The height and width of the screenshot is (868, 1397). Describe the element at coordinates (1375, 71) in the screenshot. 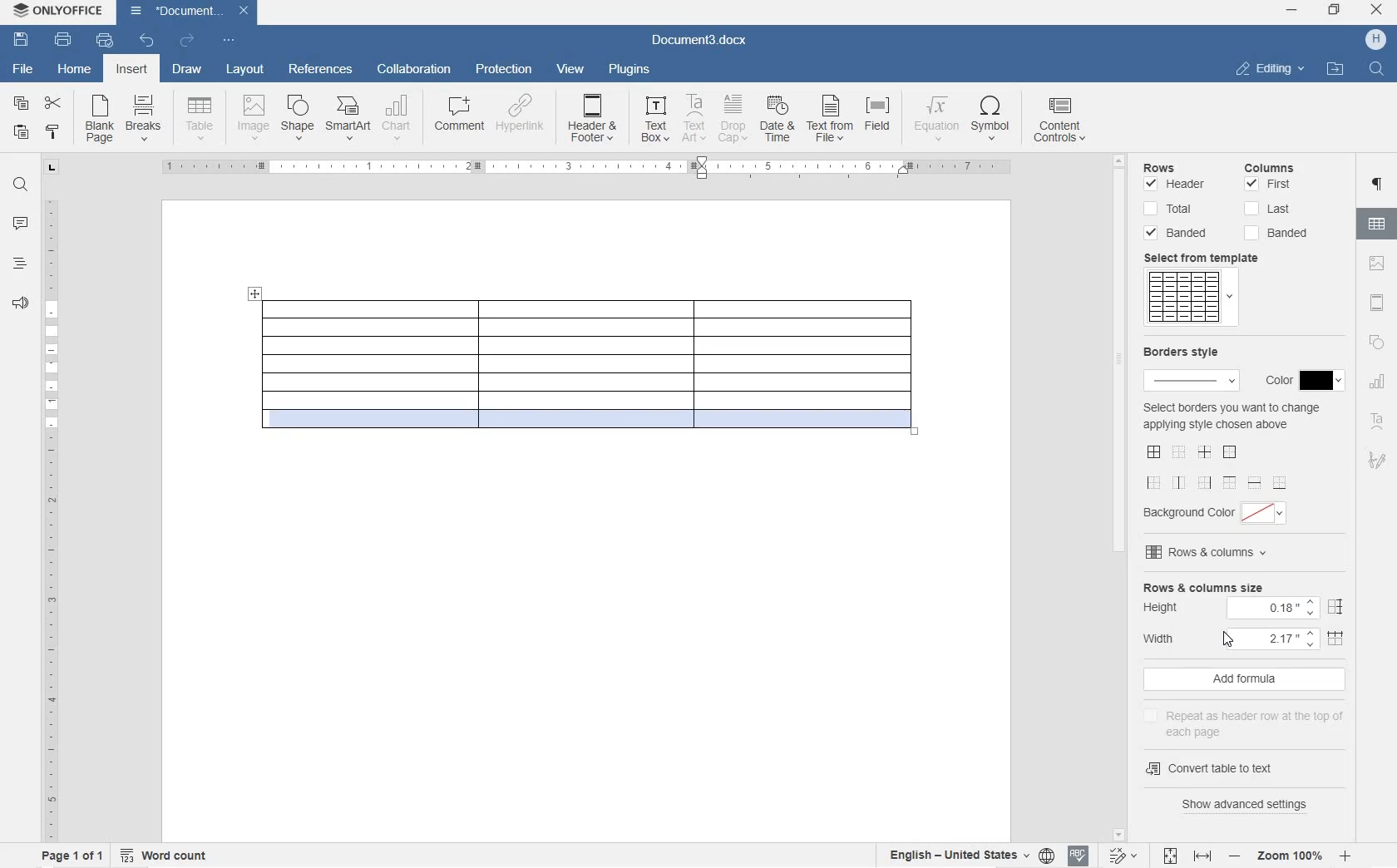

I see `FIND` at that location.